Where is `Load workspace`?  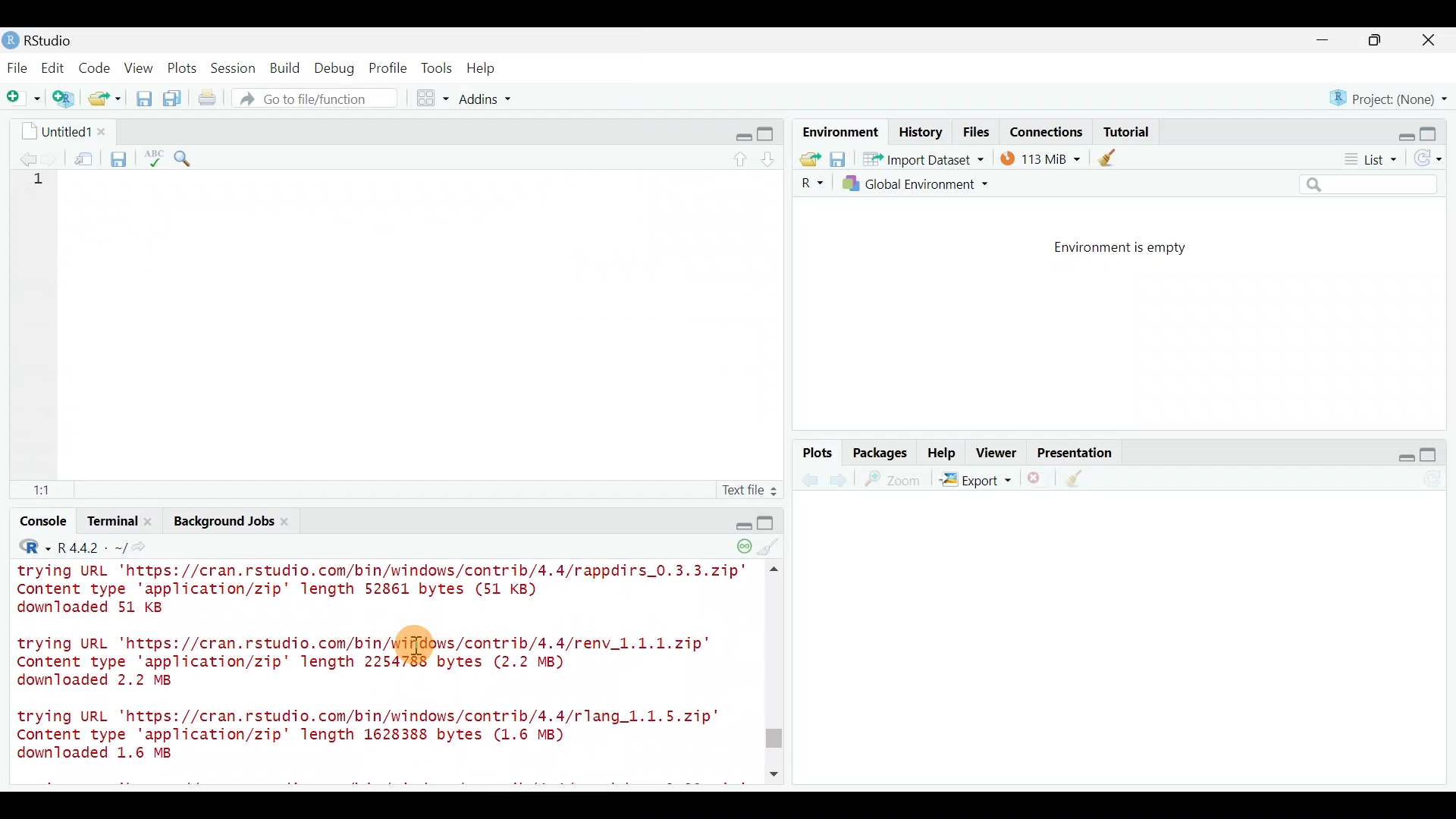 Load workspace is located at coordinates (806, 158).